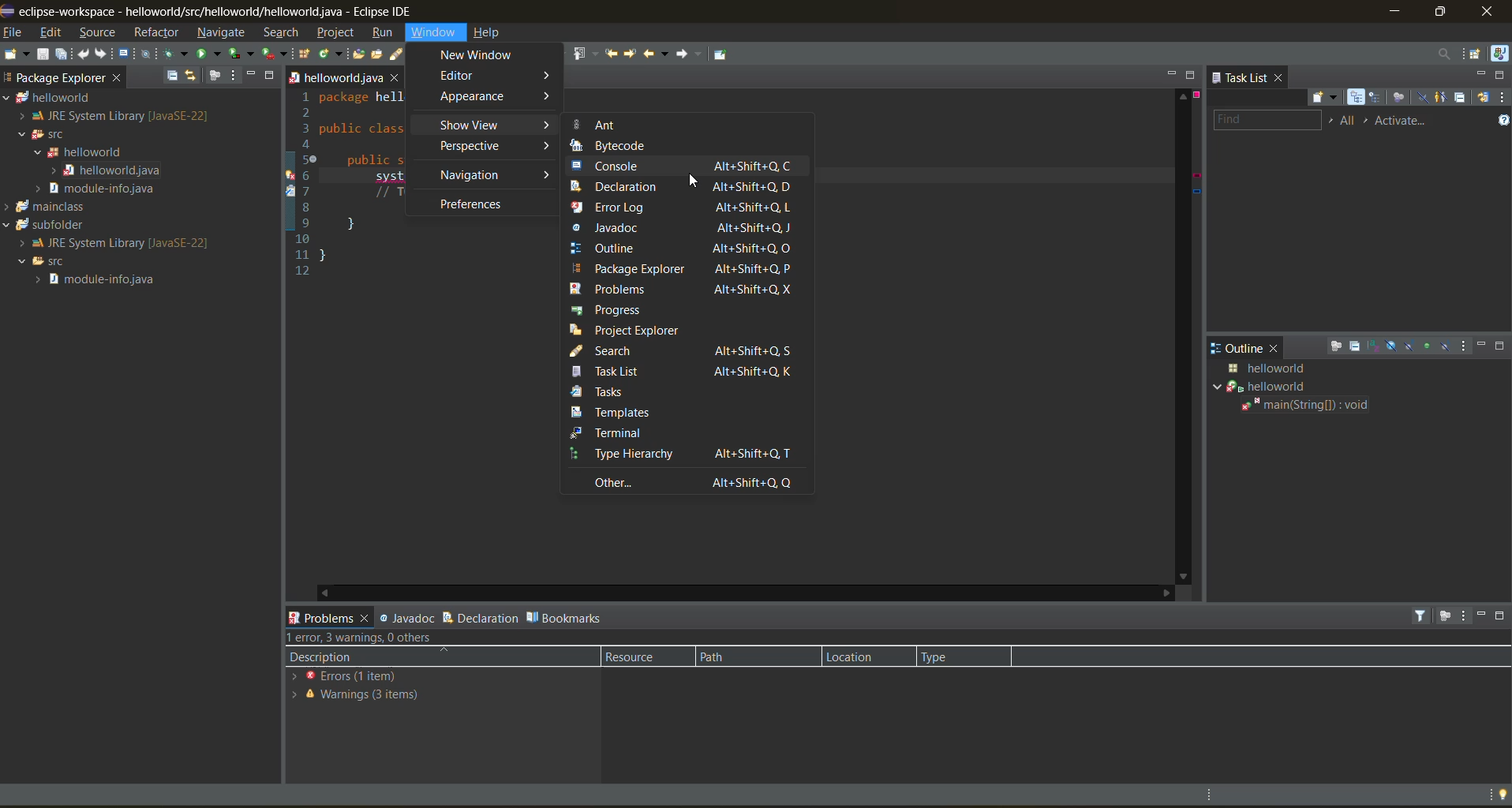  Describe the element at coordinates (235, 74) in the screenshot. I see `view menu` at that location.